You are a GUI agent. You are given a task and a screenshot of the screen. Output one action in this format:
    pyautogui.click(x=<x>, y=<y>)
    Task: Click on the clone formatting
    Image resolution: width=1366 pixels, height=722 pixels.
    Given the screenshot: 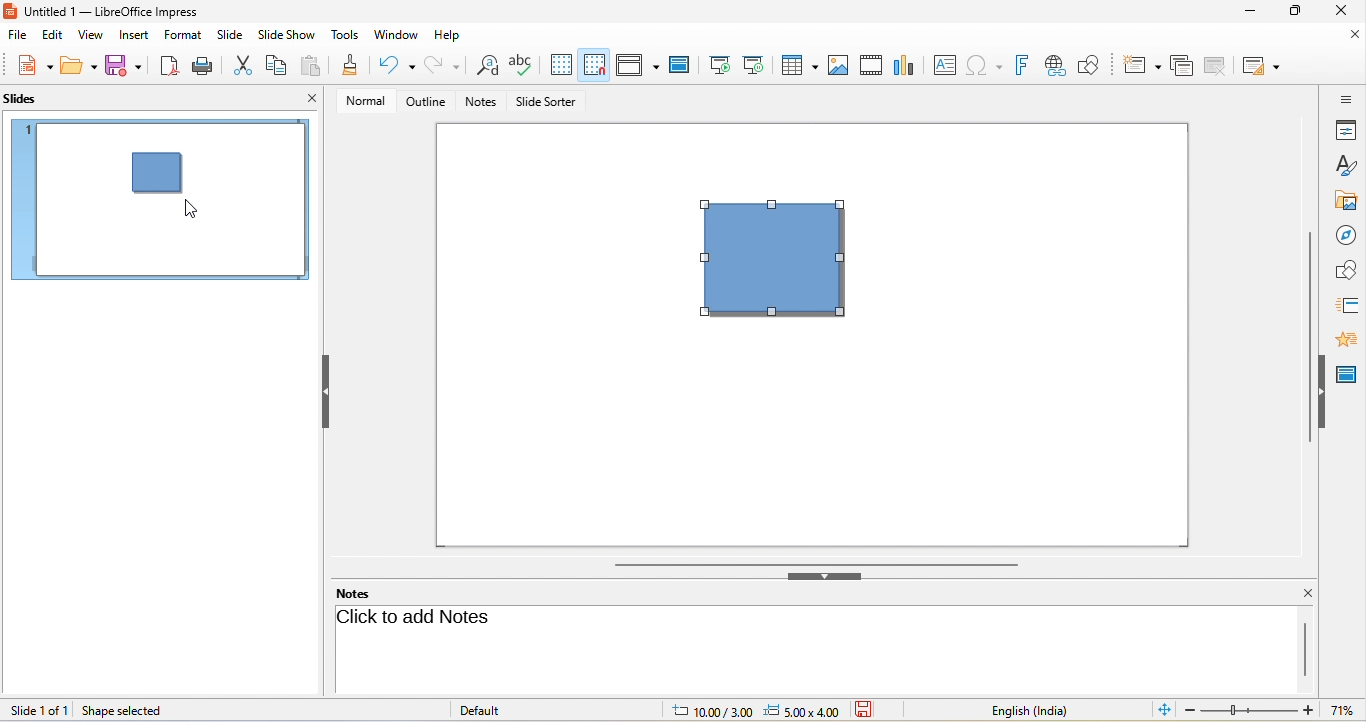 What is the action you would take?
    pyautogui.click(x=352, y=66)
    